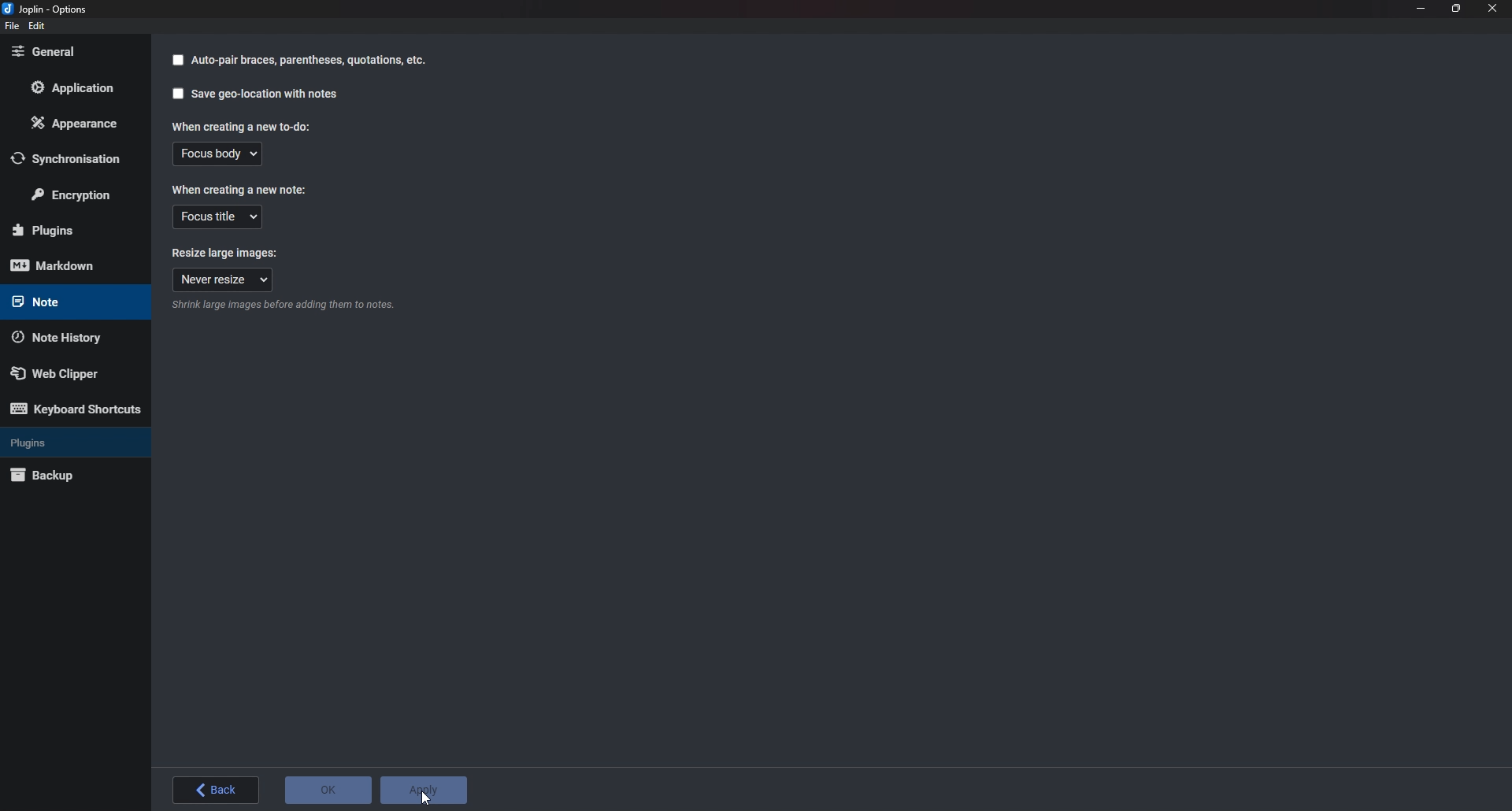 Image resolution: width=1512 pixels, height=811 pixels. I want to click on note, so click(67, 302).